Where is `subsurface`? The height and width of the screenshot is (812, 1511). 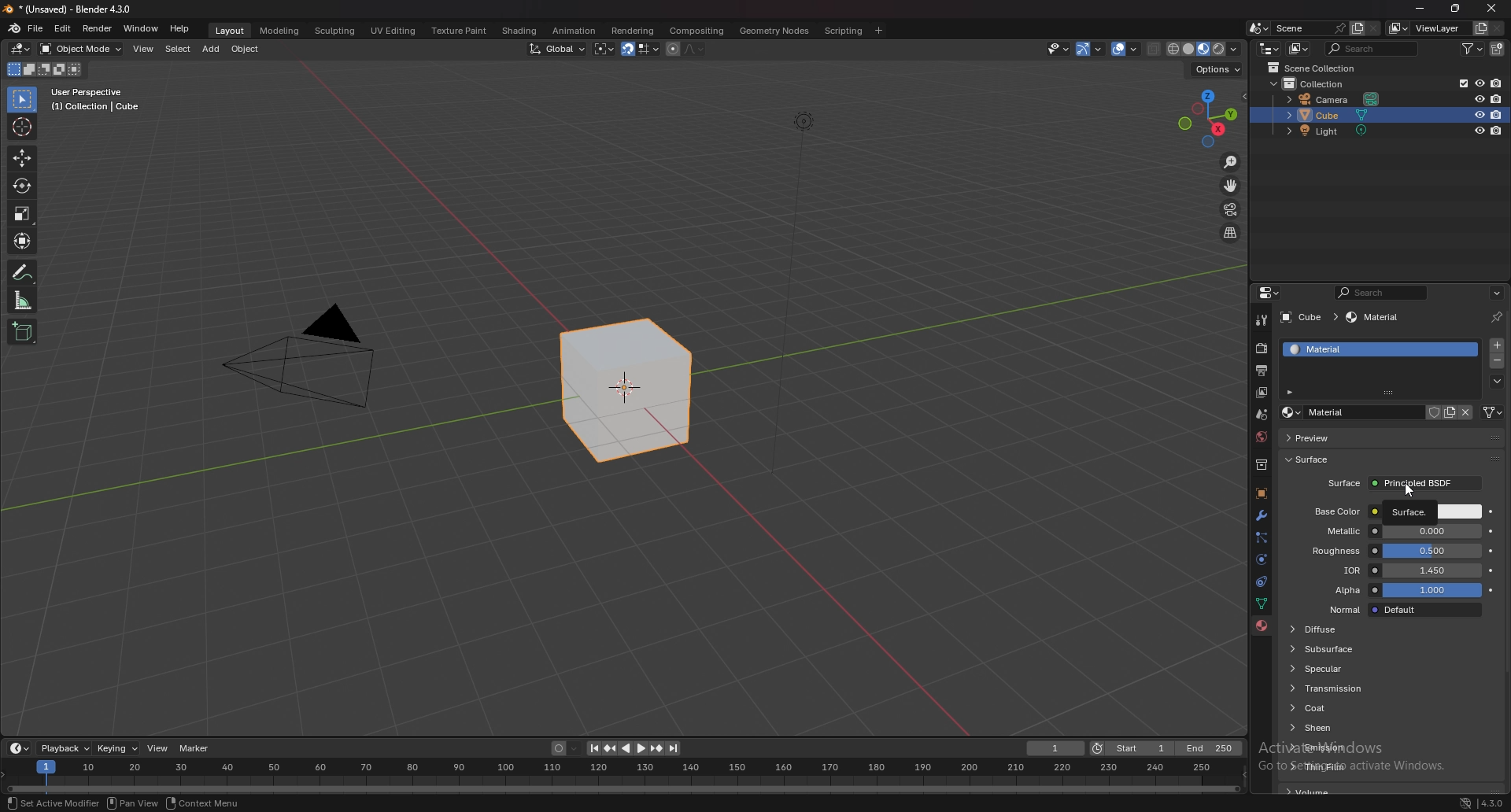
subsurface is located at coordinates (1342, 648).